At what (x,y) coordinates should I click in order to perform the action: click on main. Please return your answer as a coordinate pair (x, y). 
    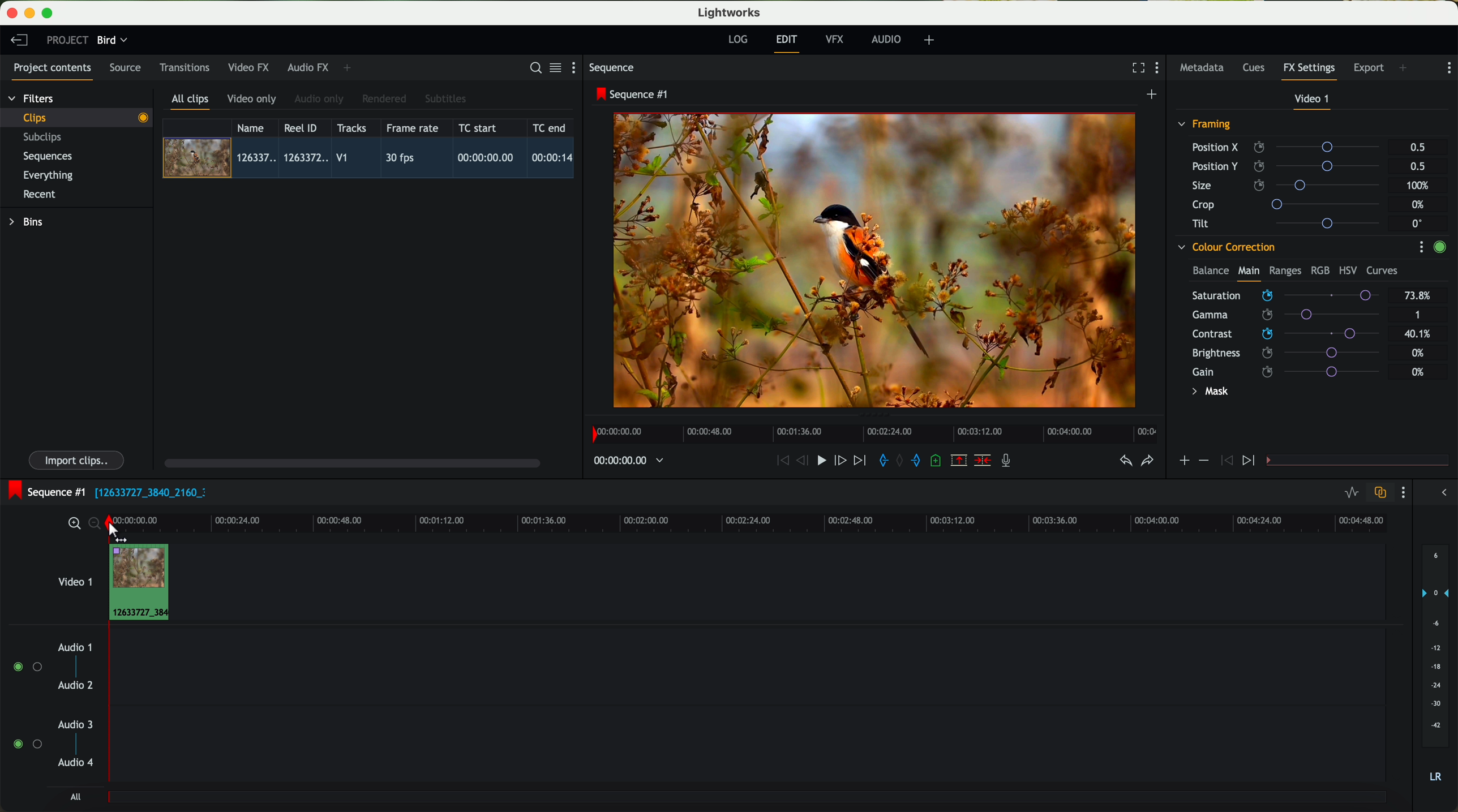
    Looking at the image, I should click on (1249, 273).